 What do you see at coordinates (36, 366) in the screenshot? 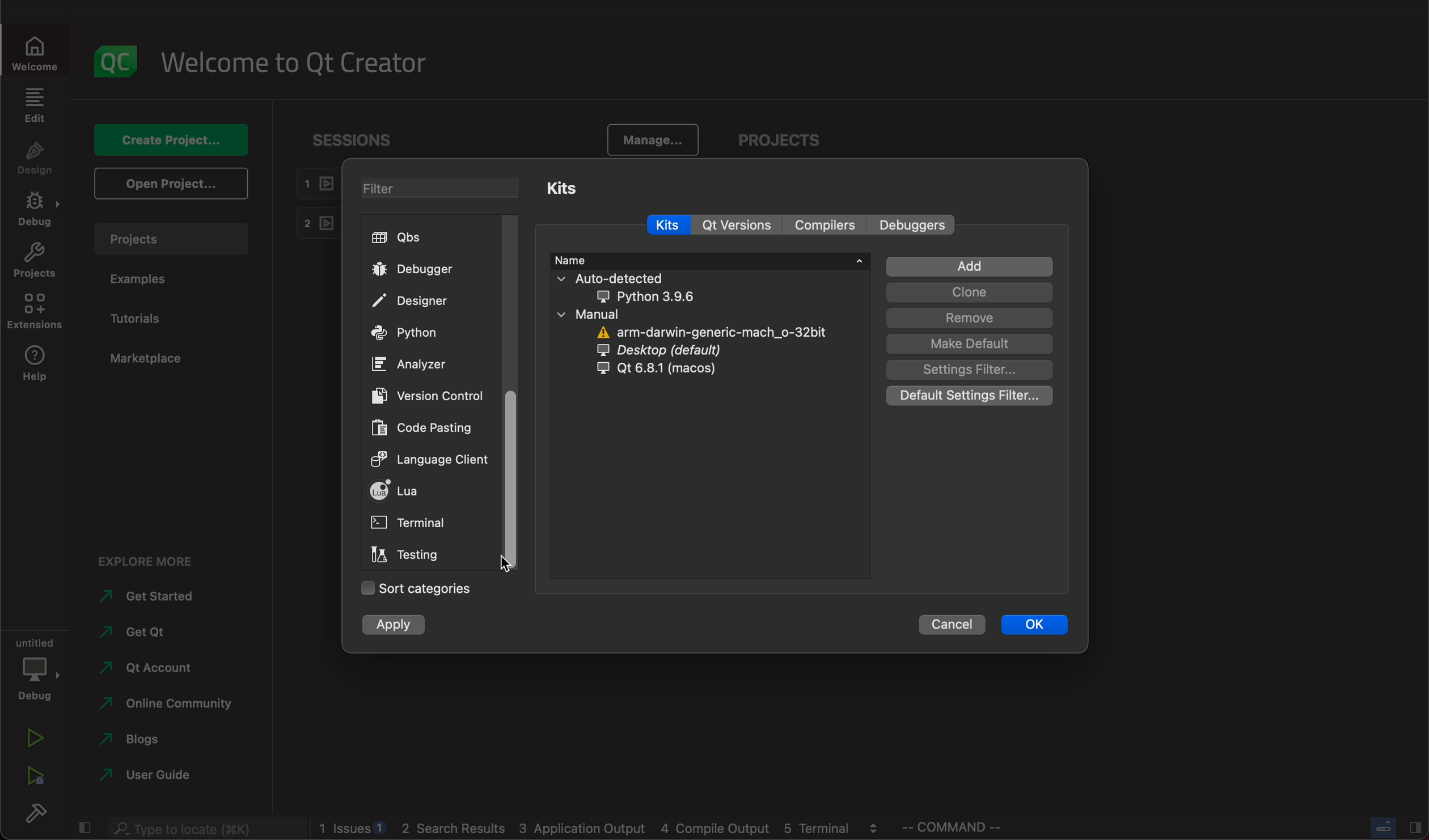
I see `help` at bounding box center [36, 366].